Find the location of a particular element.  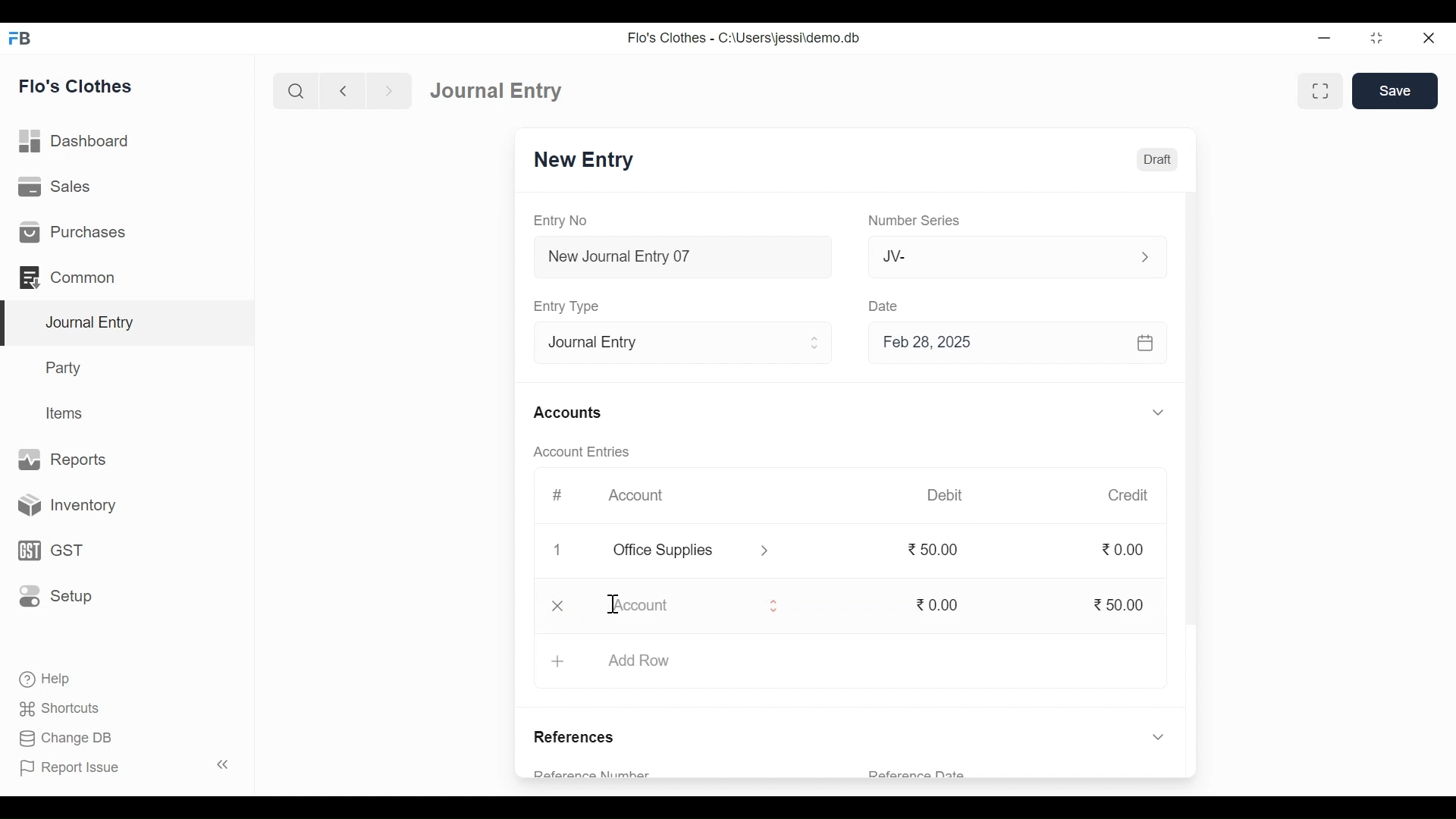

Navigate Forward is located at coordinates (389, 91).